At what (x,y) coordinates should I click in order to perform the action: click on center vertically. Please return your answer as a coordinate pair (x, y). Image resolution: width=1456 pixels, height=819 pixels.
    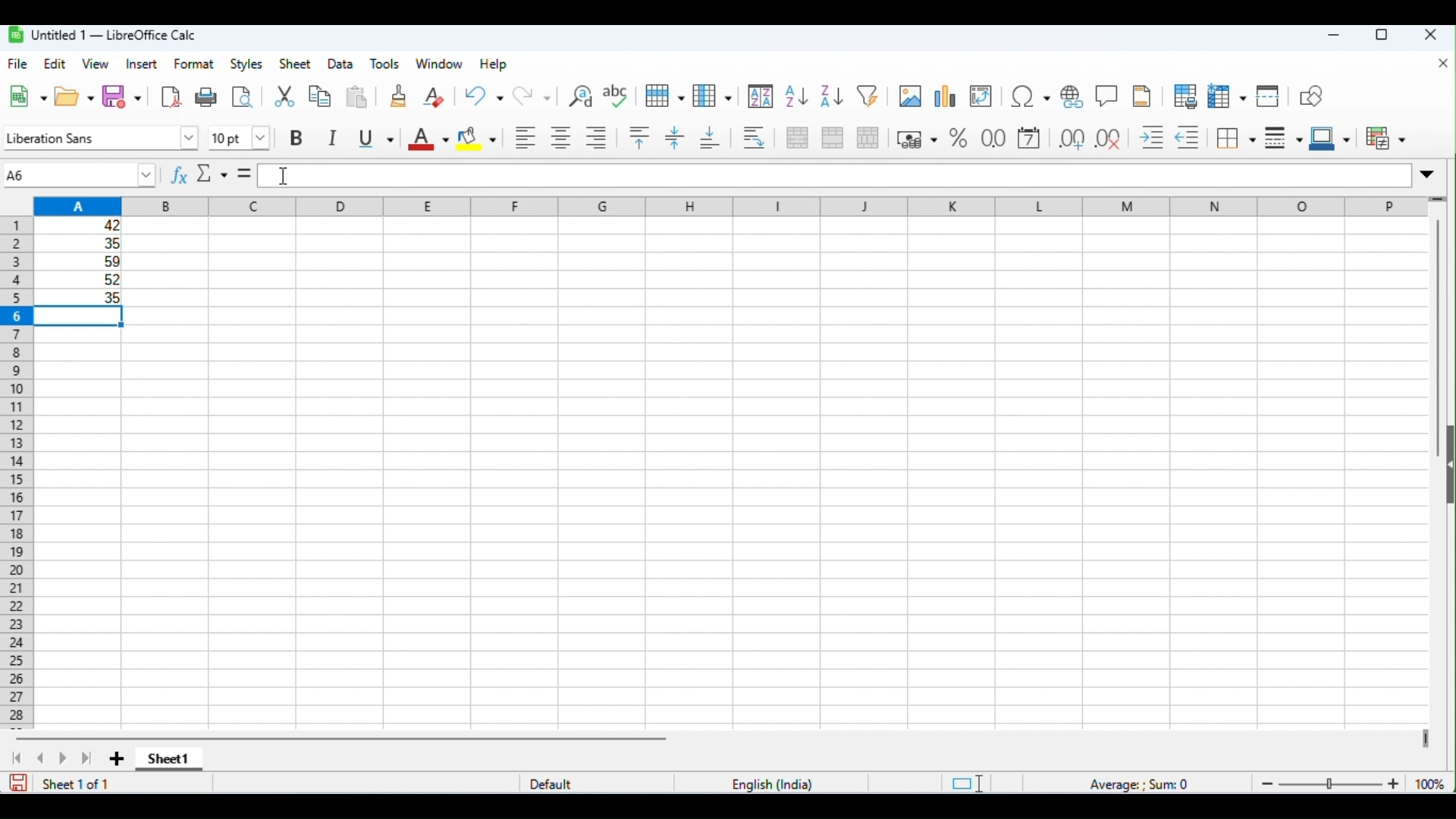
    Looking at the image, I should click on (675, 138).